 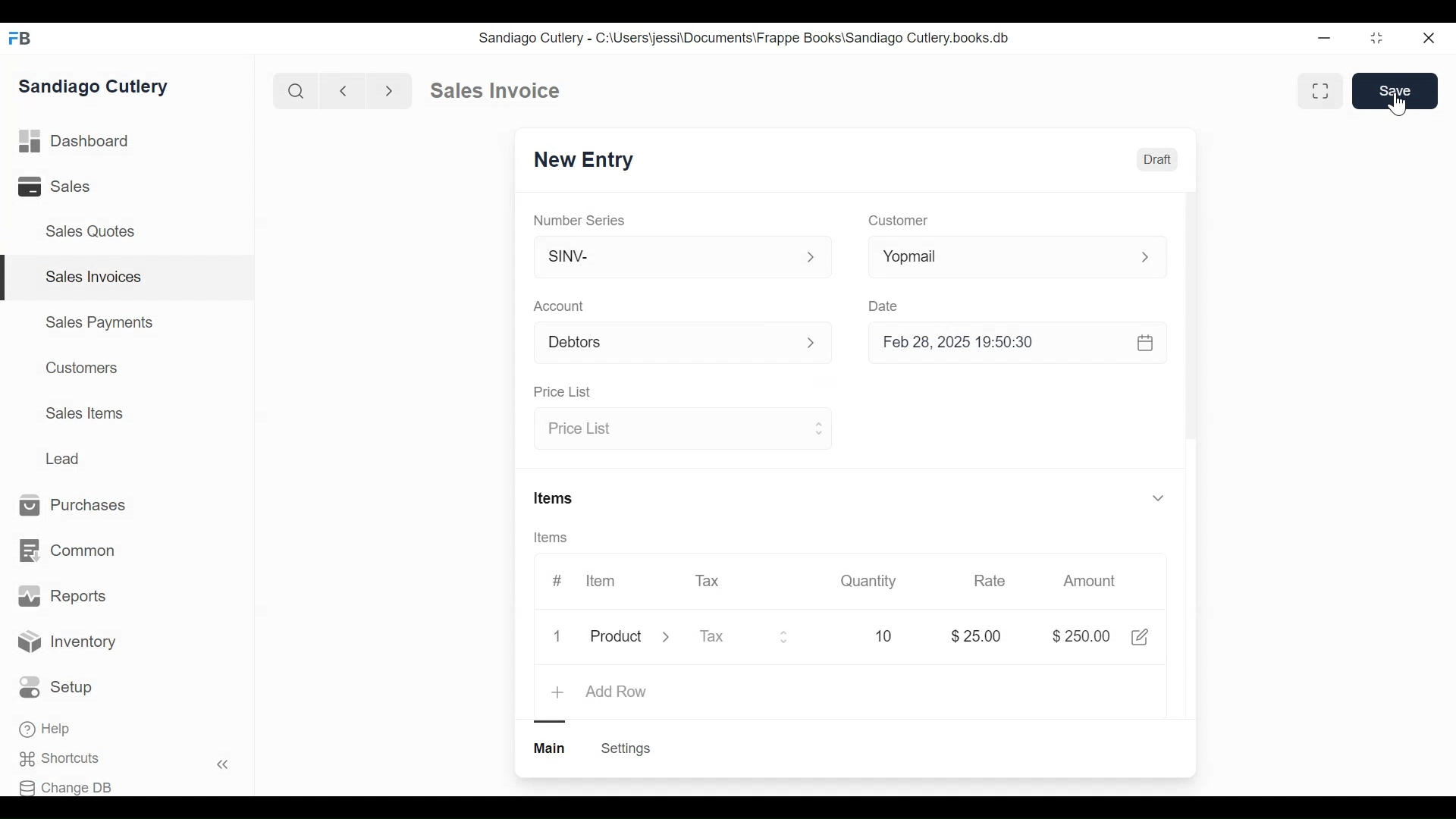 What do you see at coordinates (560, 306) in the screenshot?
I see `Account` at bounding box center [560, 306].